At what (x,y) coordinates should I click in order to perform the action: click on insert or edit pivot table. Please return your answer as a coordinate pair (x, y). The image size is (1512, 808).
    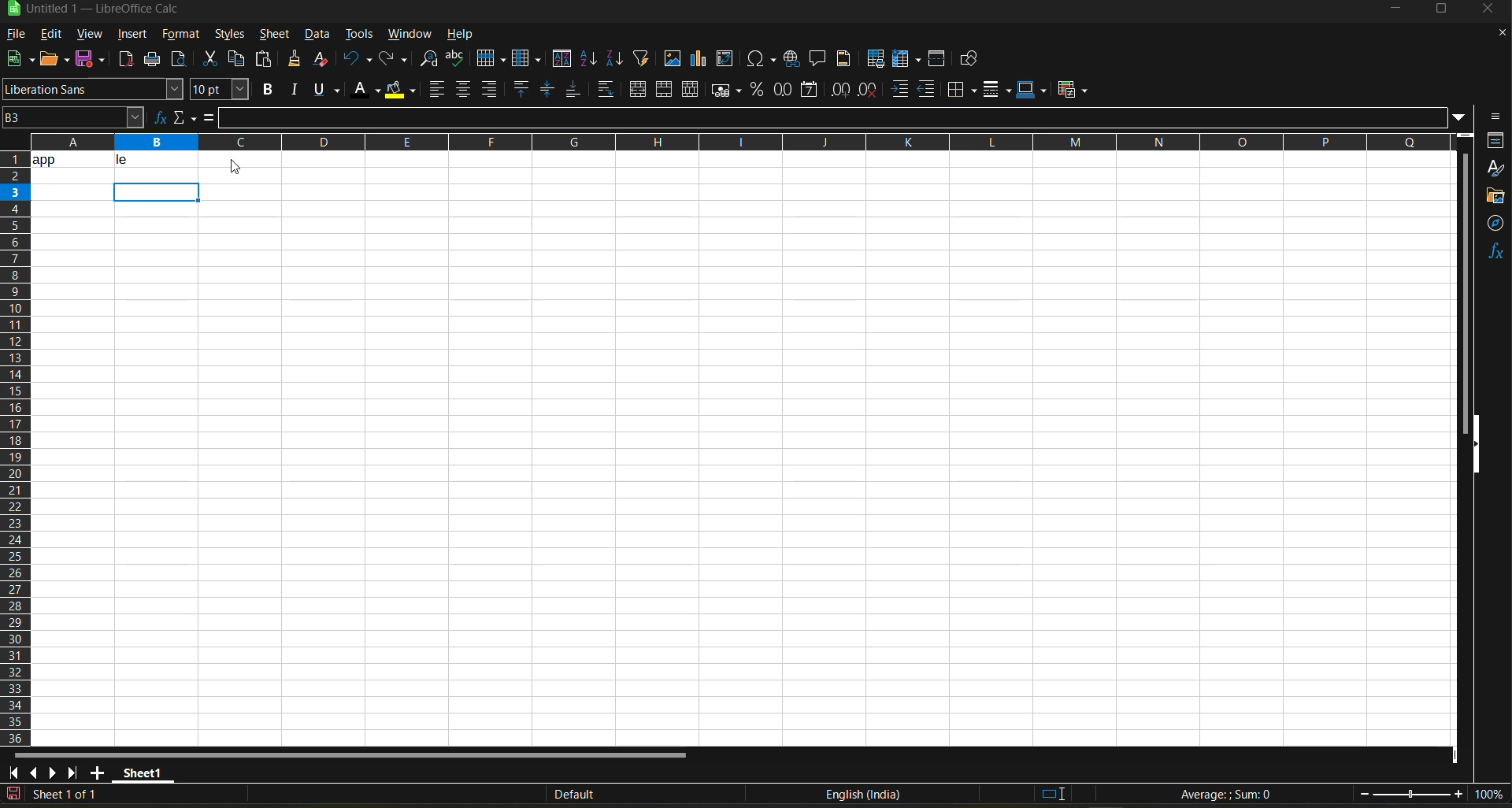
    Looking at the image, I should click on (726, 60).